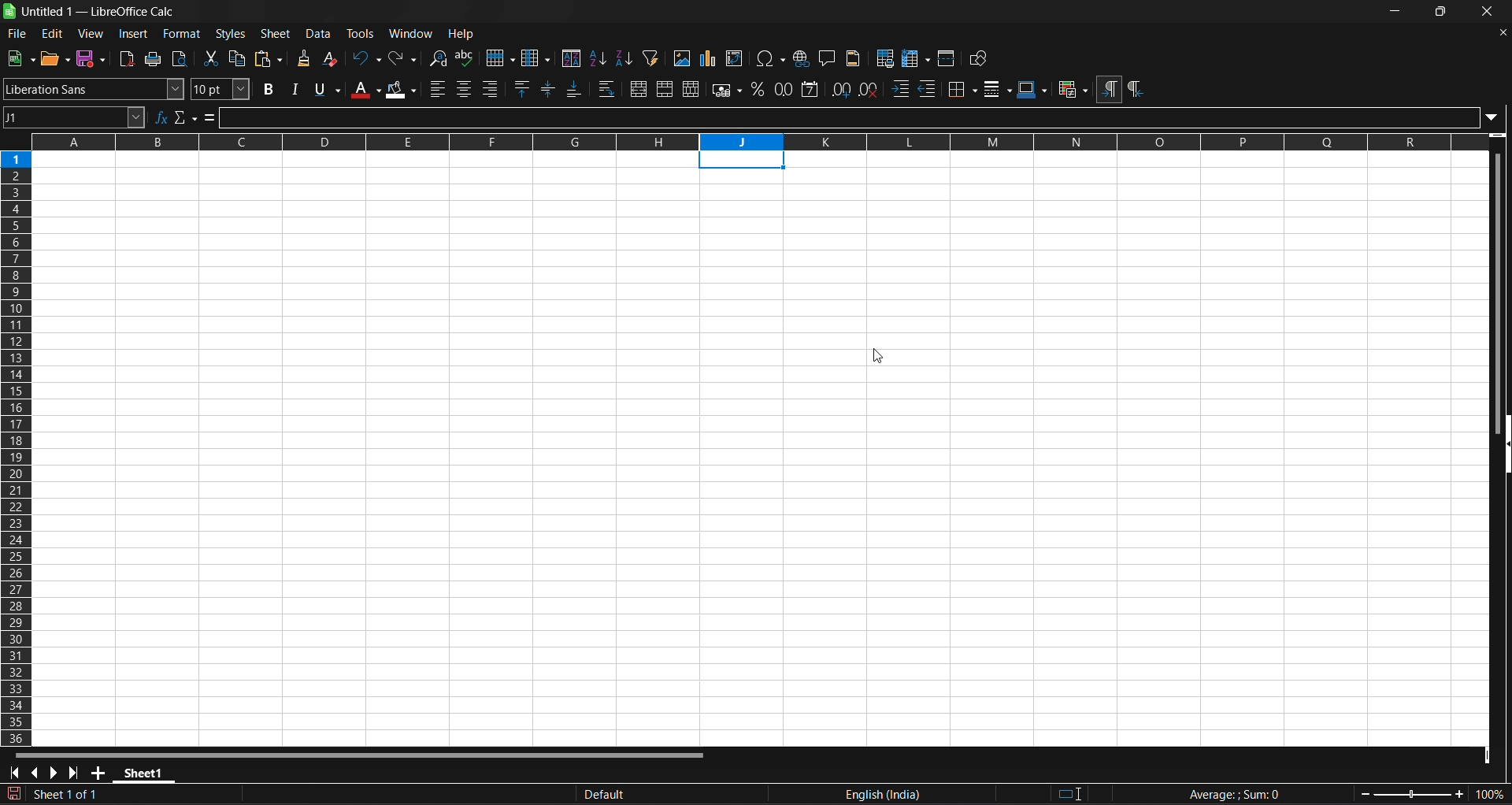  I want to click on window, so click(411, 34).